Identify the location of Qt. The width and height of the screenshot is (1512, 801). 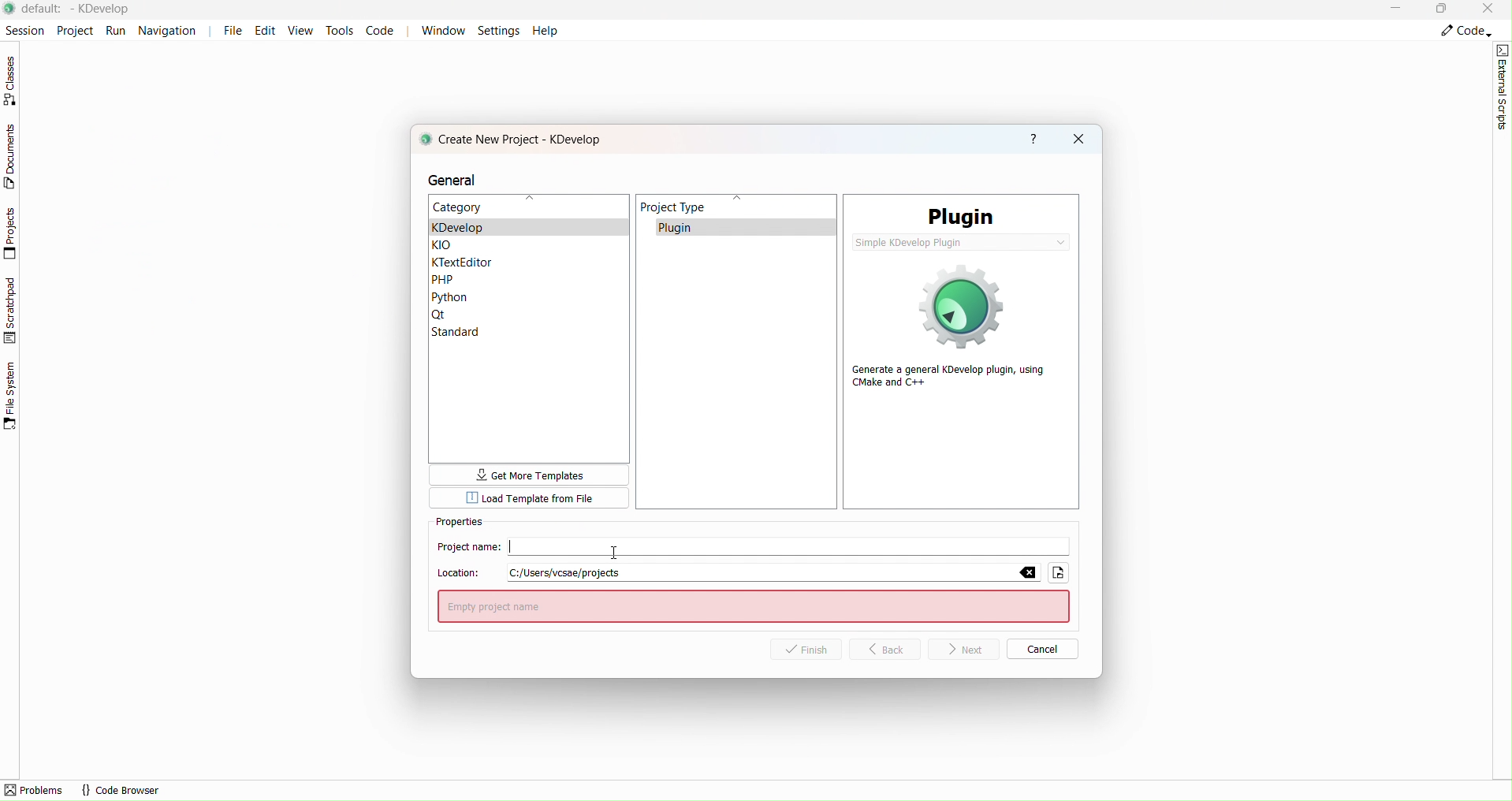
(479, 314).